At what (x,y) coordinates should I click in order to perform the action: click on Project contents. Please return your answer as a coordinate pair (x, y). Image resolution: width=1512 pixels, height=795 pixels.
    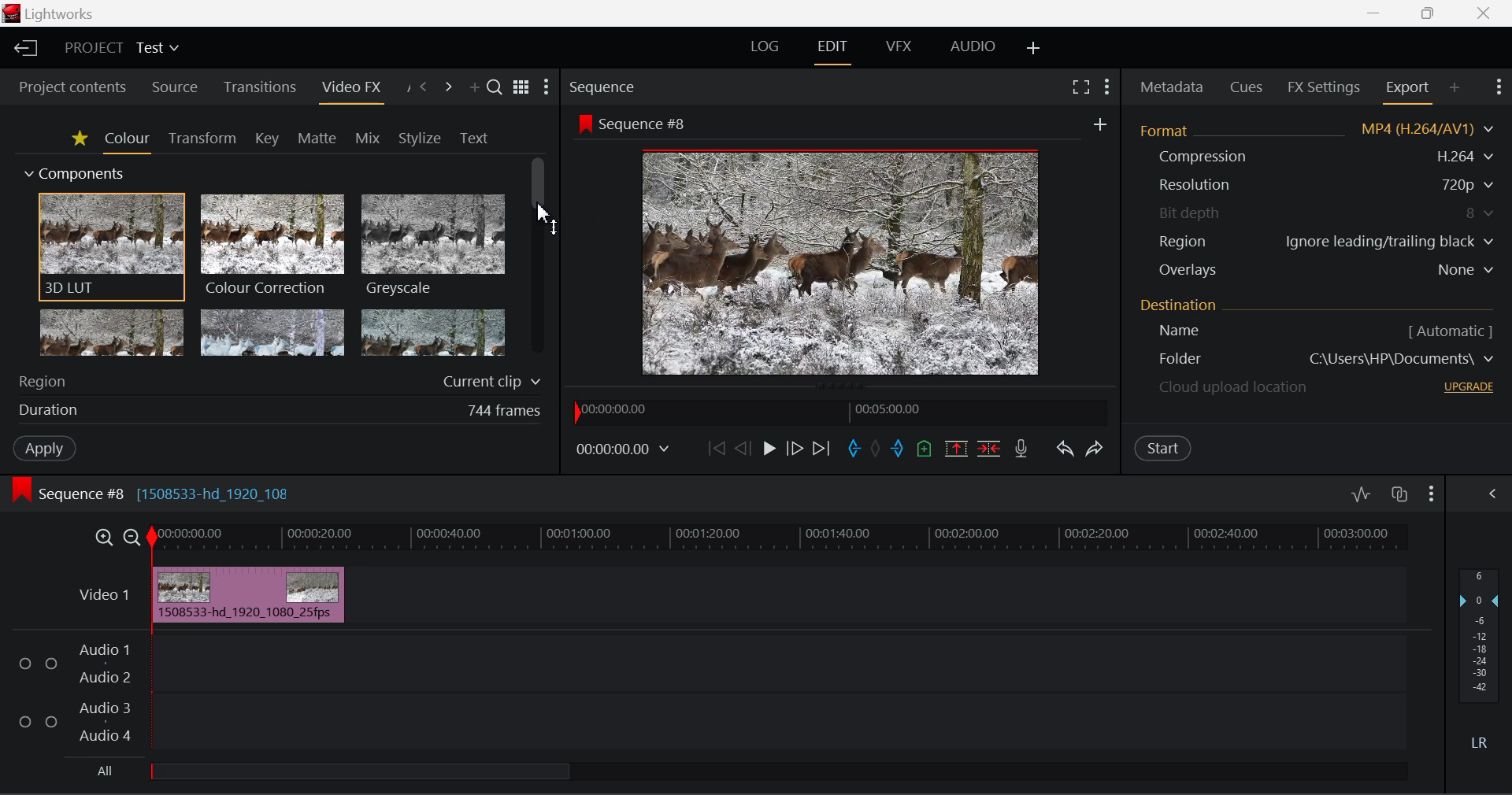
    Looking at the image, I should click on (65, 89).